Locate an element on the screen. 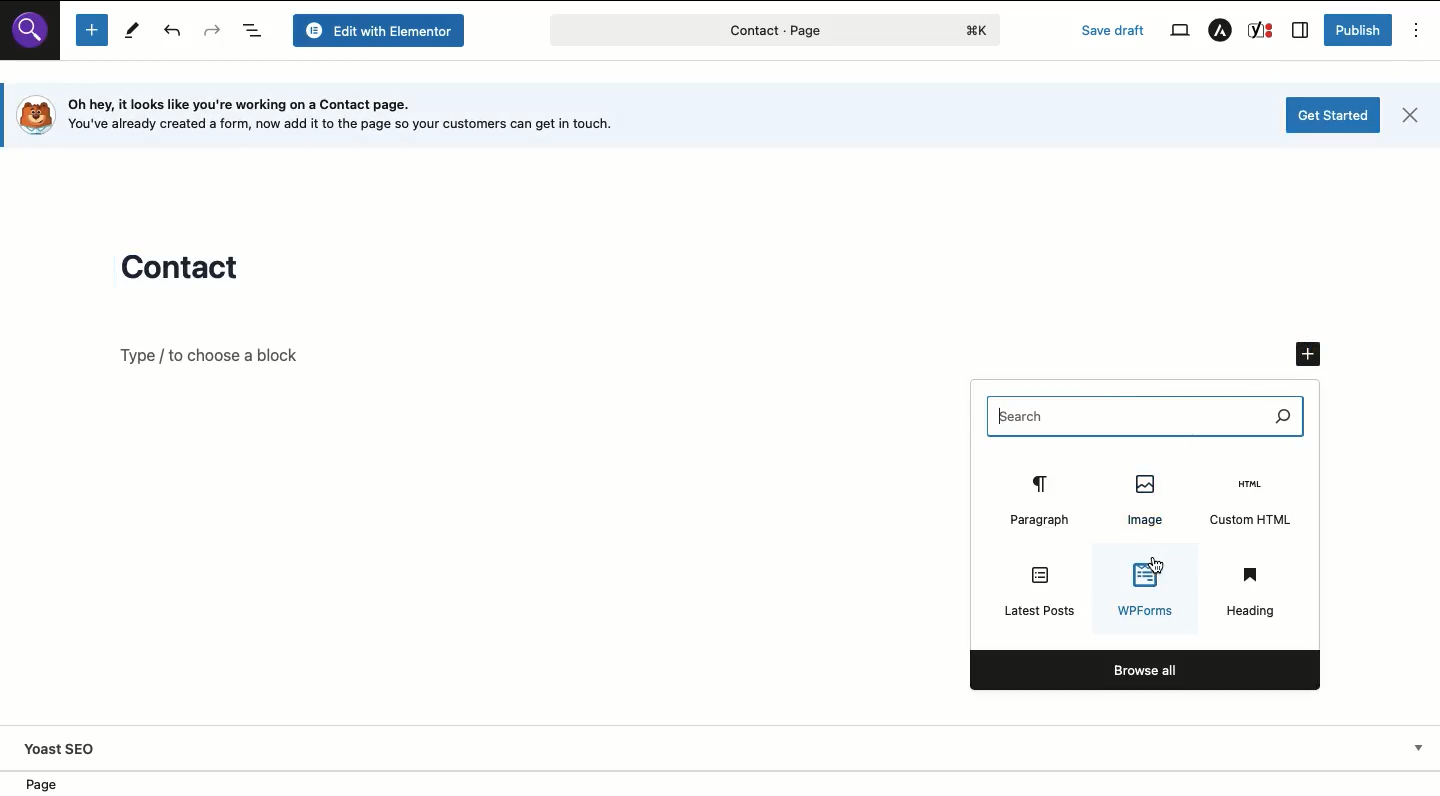 The height and width of the screenshot is (796, 1440). logo is located at coordinates (981, 30).